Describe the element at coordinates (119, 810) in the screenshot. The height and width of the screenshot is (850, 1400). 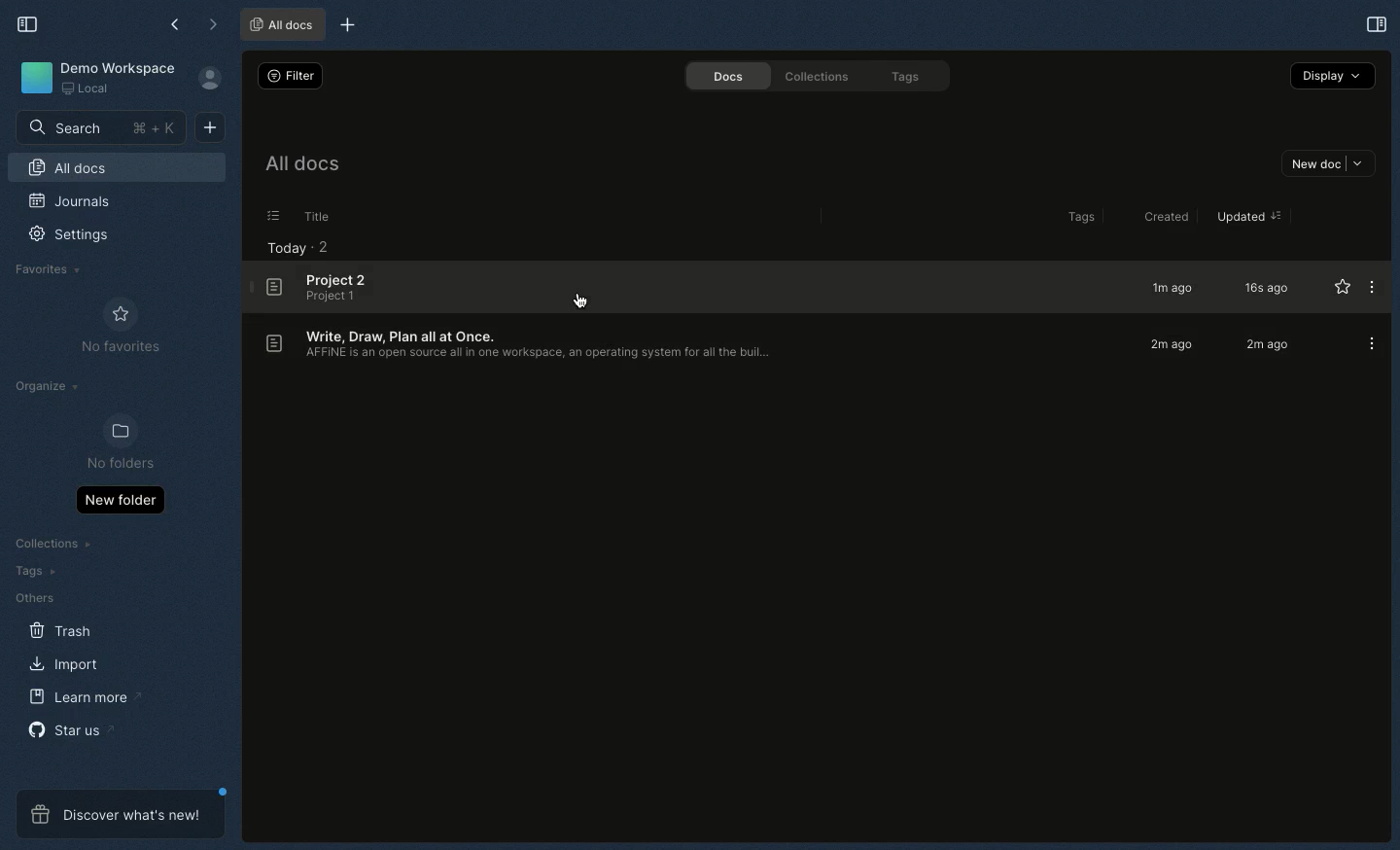
I see `Discover what's new` at that location.